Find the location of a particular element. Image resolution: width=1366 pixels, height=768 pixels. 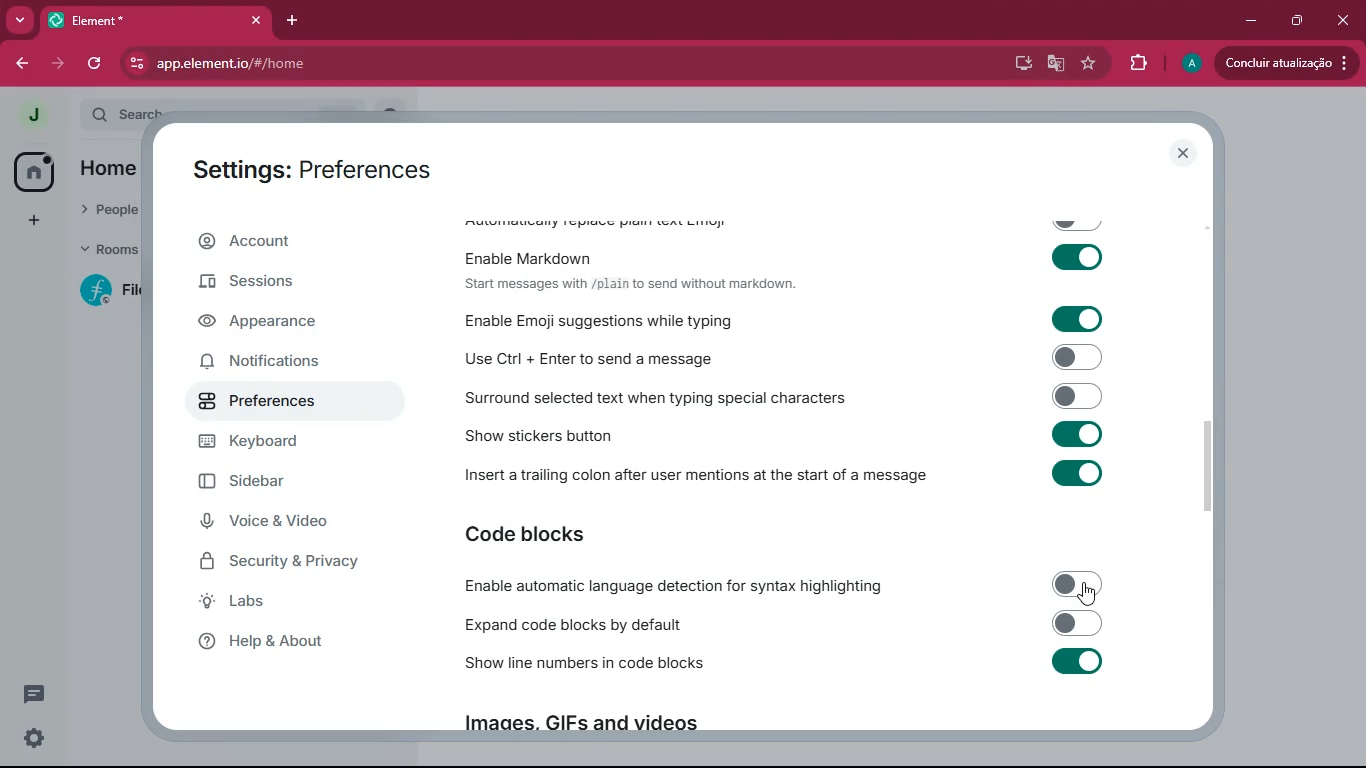

search ctrl k is located at coordinates (241, 109).